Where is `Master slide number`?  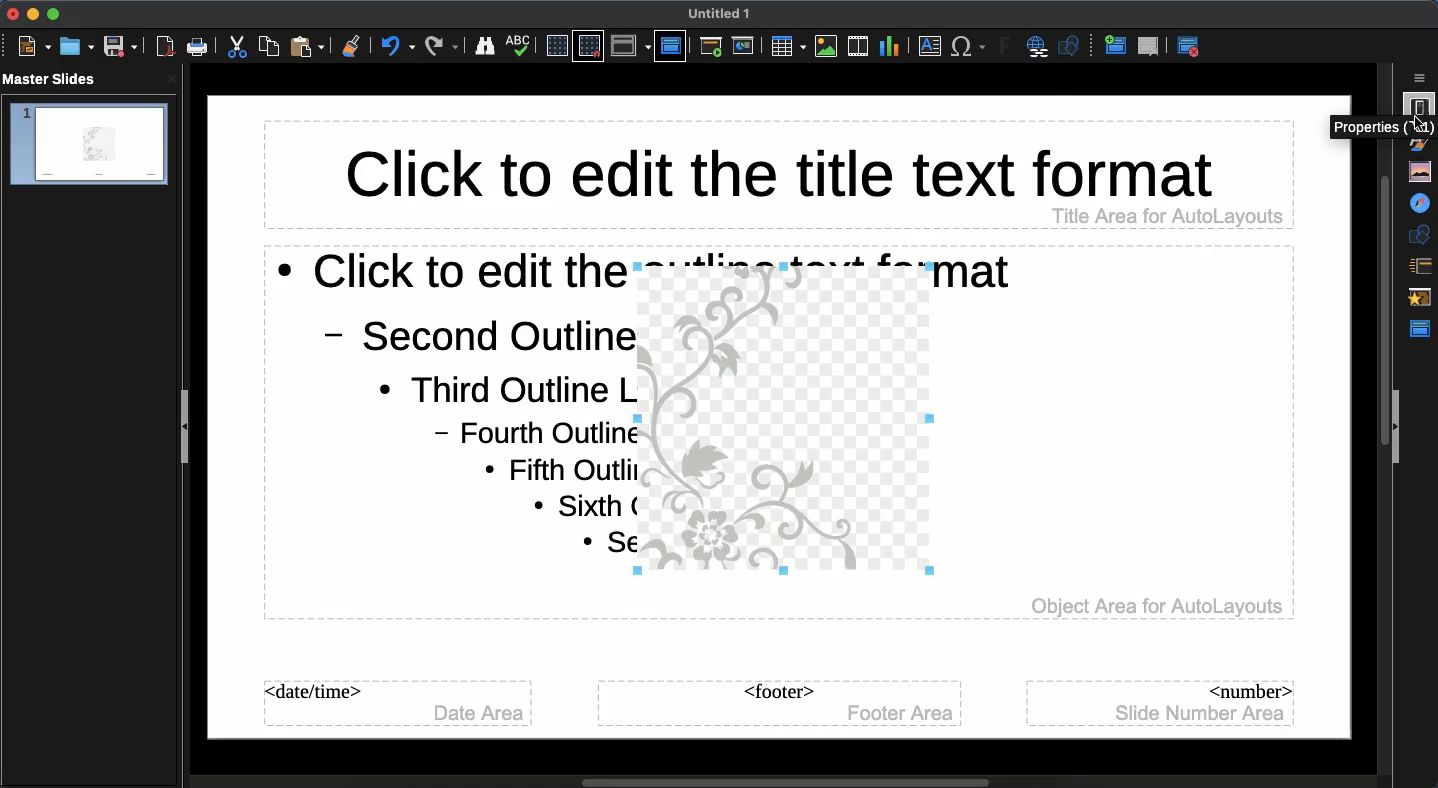 Master slide number is located at coordinates (1163, 702).